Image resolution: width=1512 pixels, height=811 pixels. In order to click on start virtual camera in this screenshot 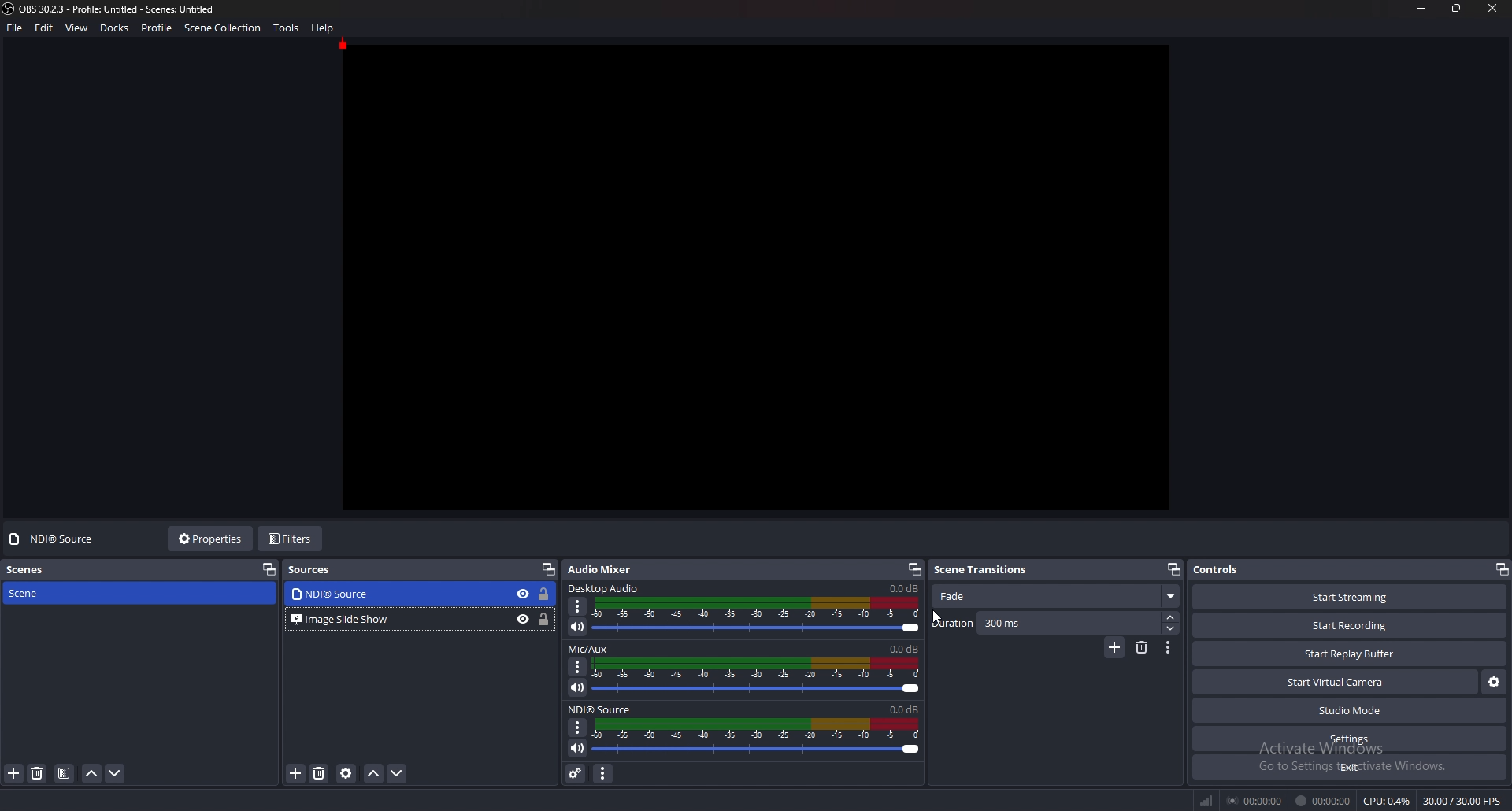, I will do `click(1336, 682)`.